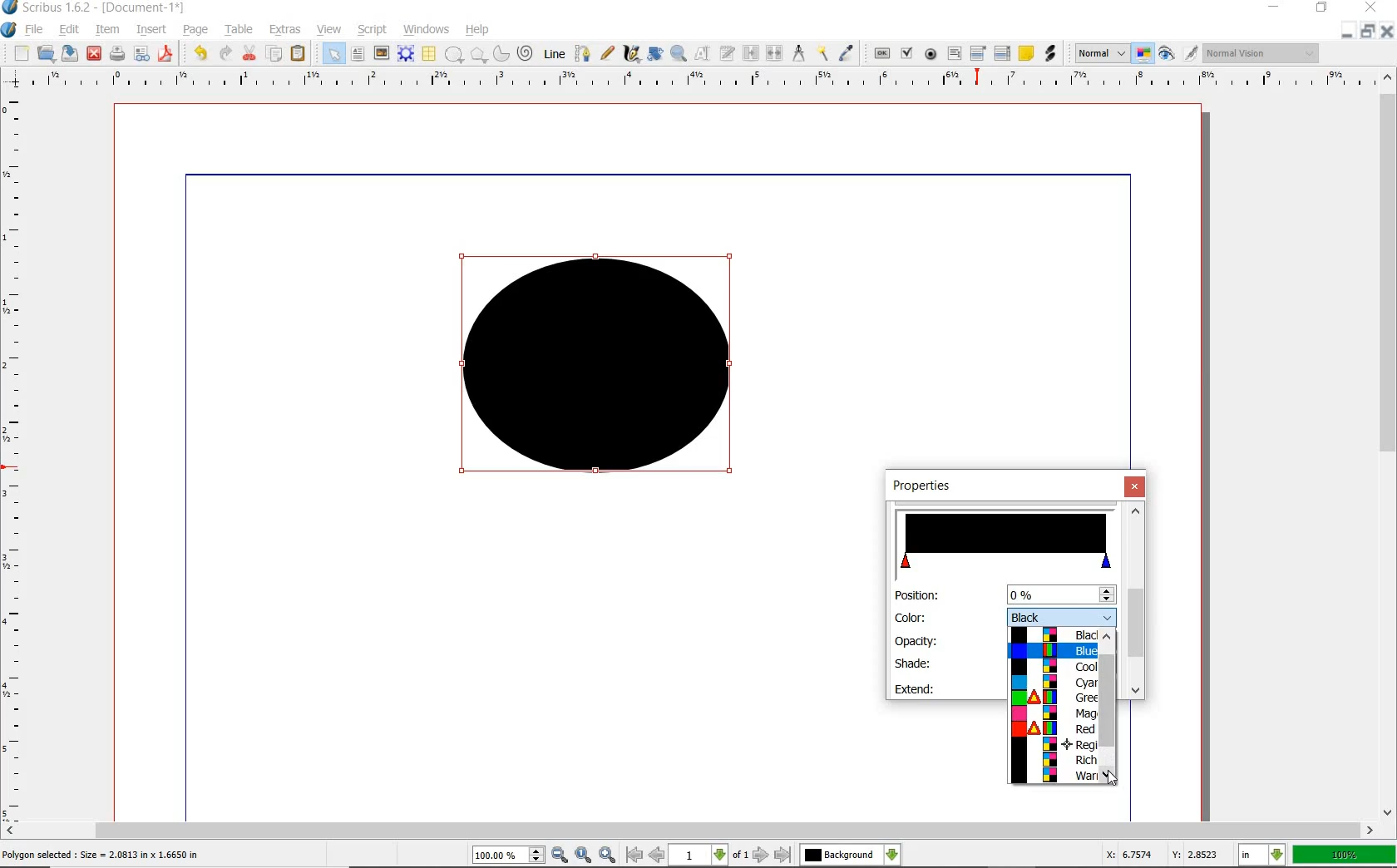 The width and height of the screenshot is (1397, 868). Describe the element at coordinates (1007, 541) in the screenshot. I see `color stop` at that location.